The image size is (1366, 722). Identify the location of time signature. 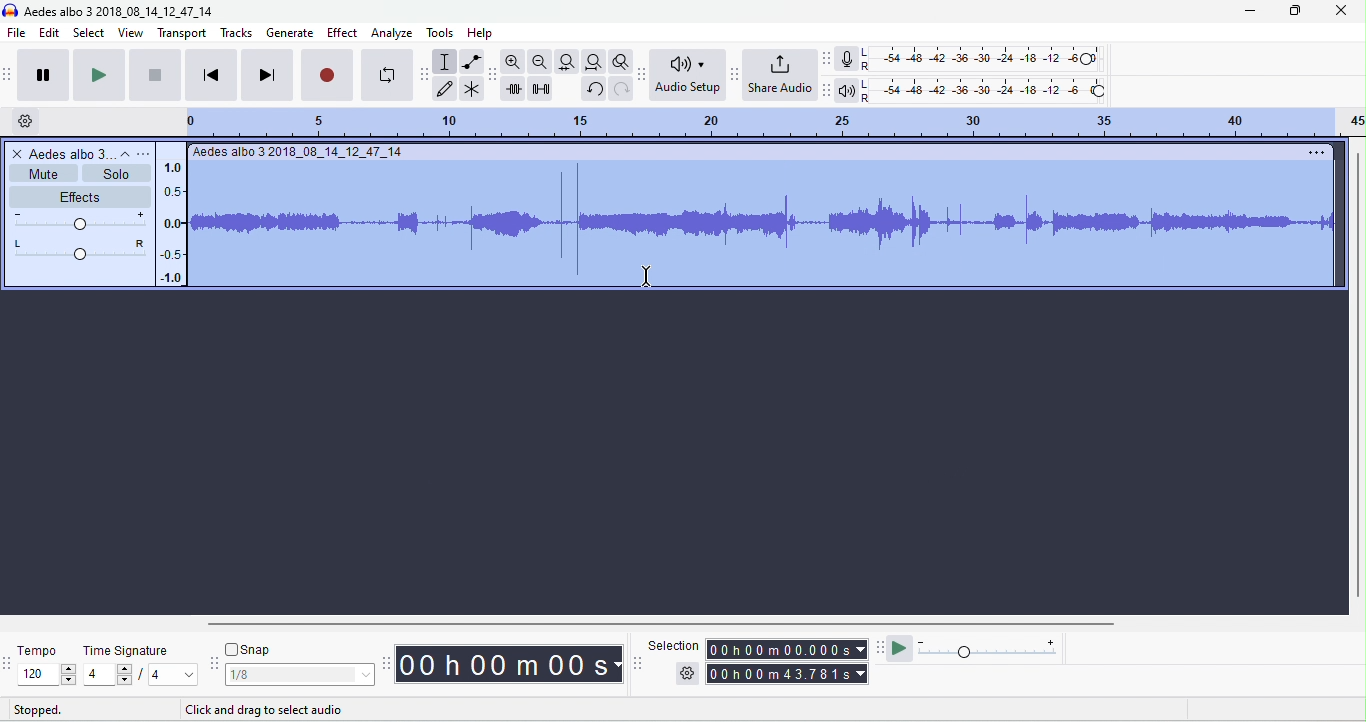
(127, 650).